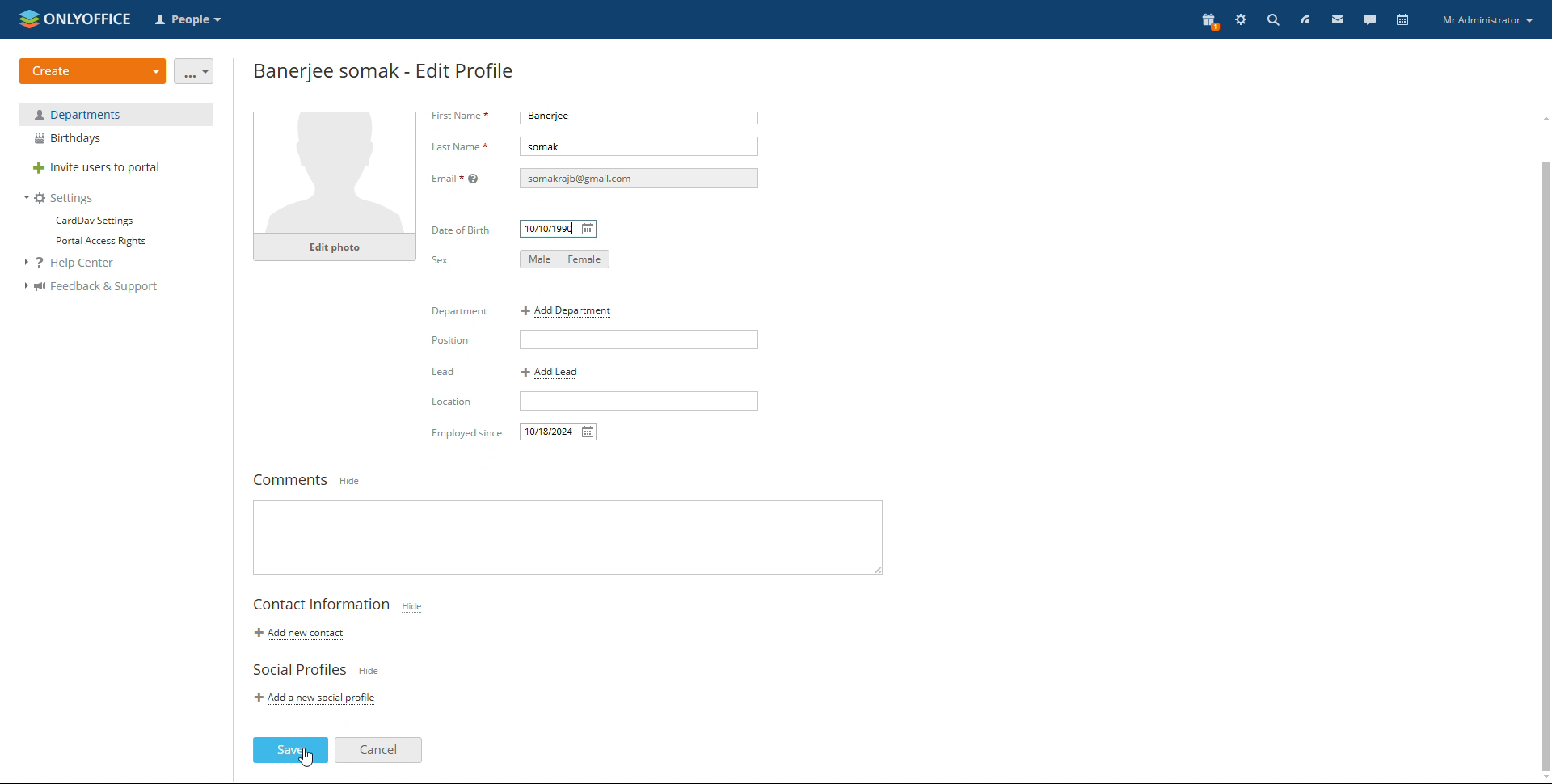 This screenshot has width=1552, height=784. I want to click on mouse pointer, so click(450, 341).